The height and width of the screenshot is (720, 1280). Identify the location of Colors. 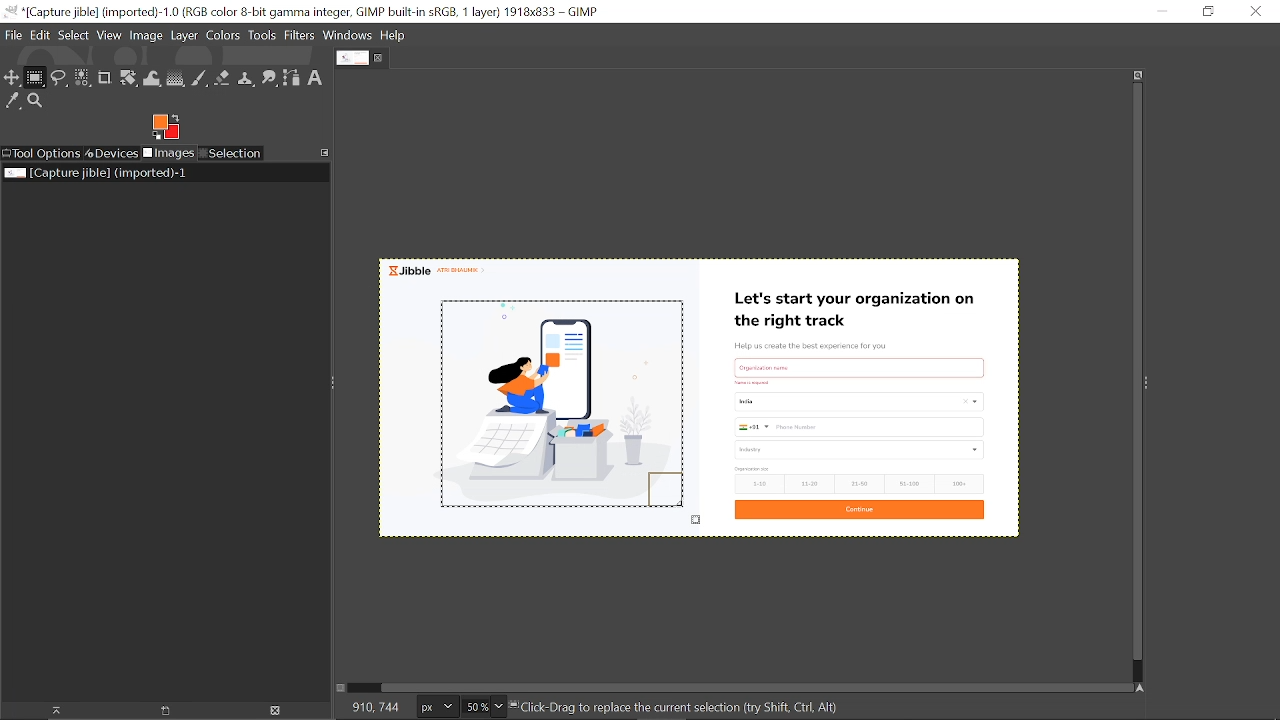
(224, 36).